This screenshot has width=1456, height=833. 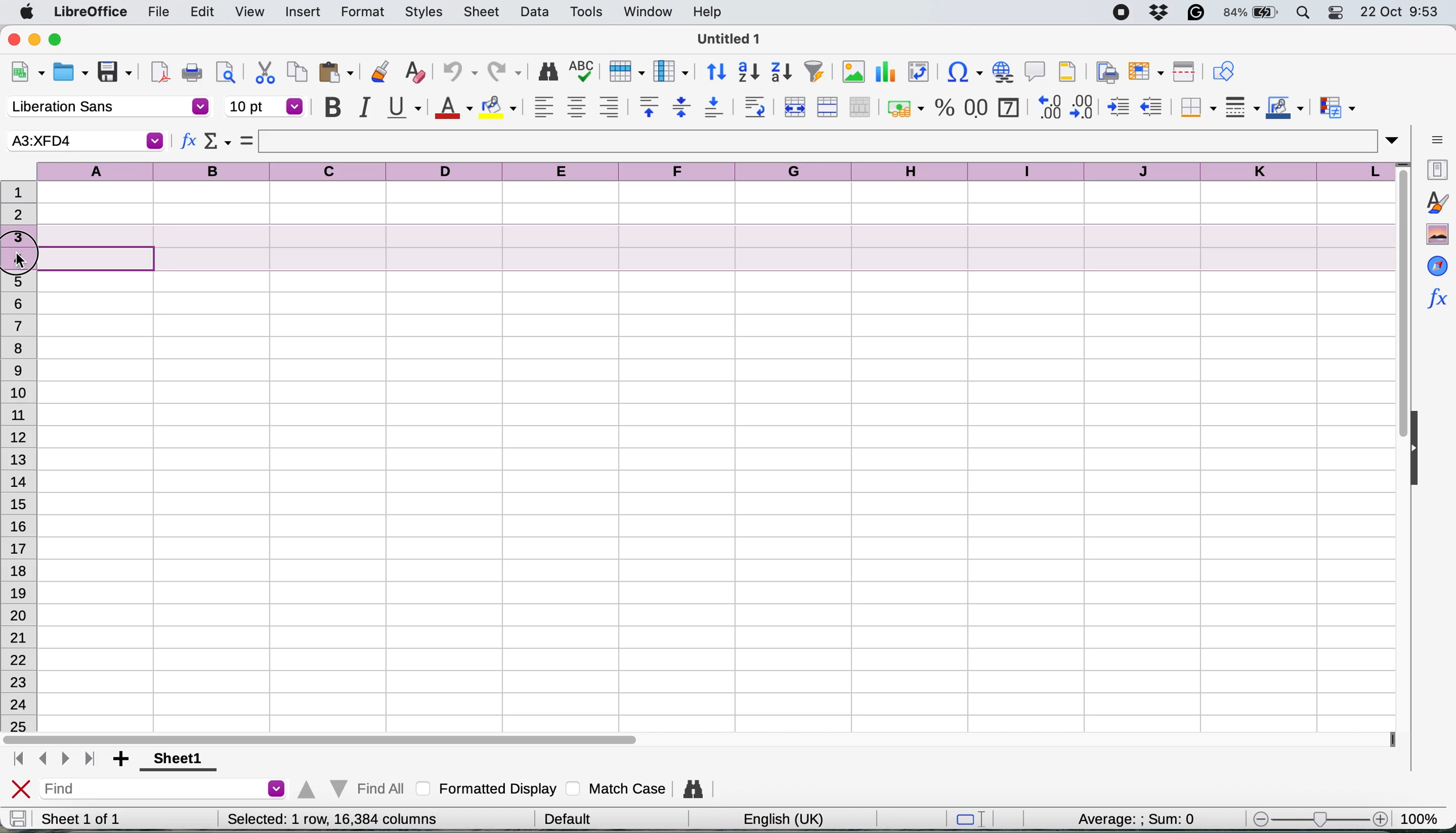 I want to click on control center, so click(x=1339, y=13).